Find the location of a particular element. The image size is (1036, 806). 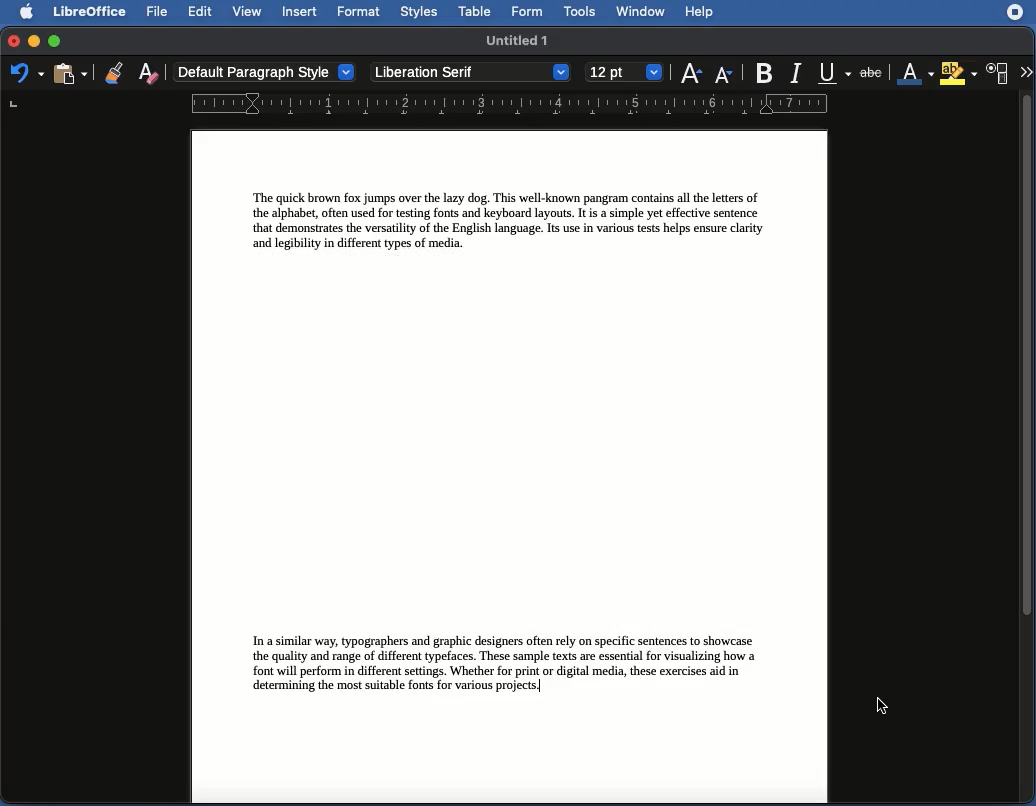

 is located at coordinates (34, 42).